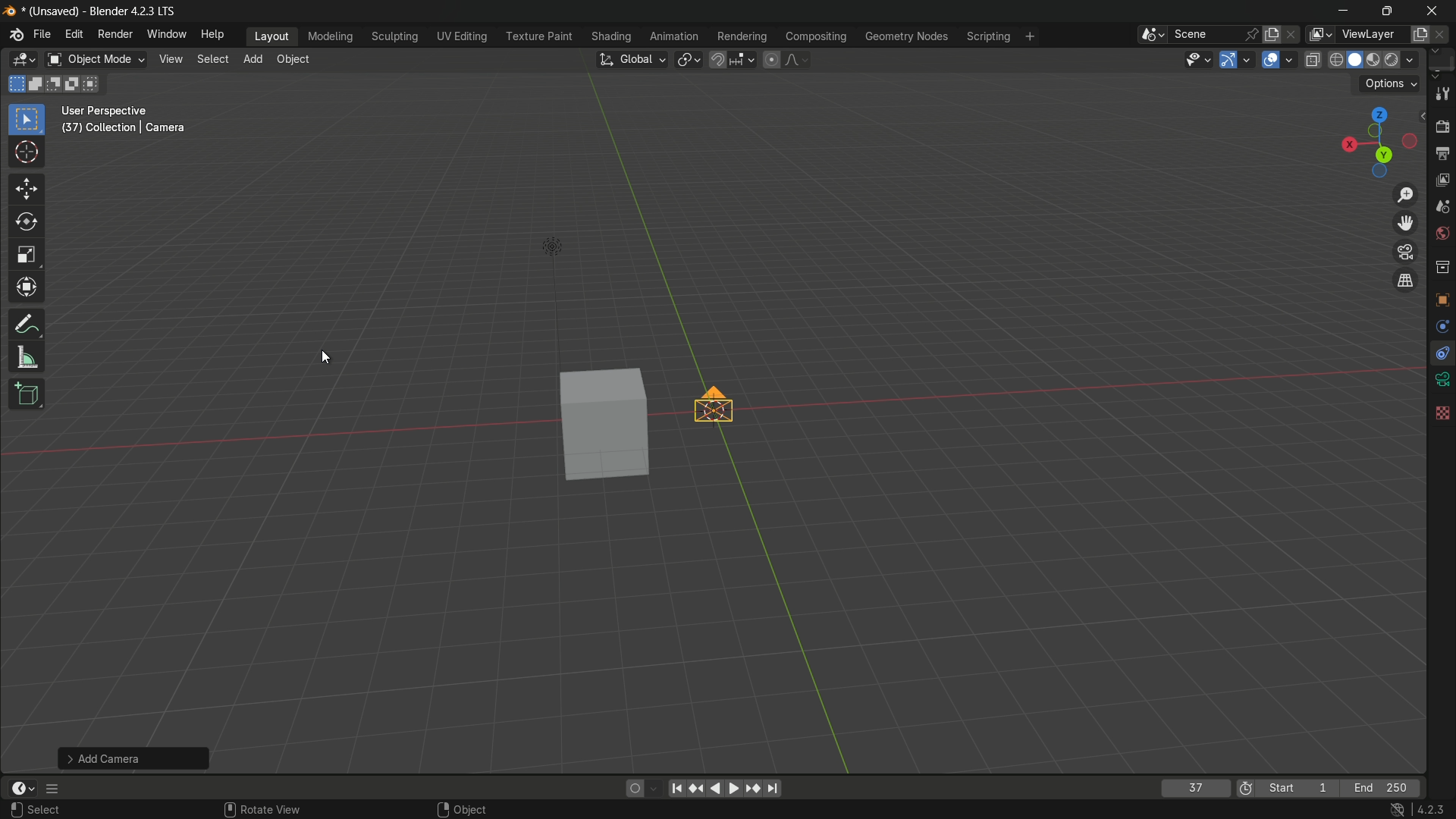 Image resolution: width=1456 pixels, height=819 pixels. What do you see at coordinates (1442, 352) in the screenshot?
I see `free tool` at bounding box center [1442, 352].